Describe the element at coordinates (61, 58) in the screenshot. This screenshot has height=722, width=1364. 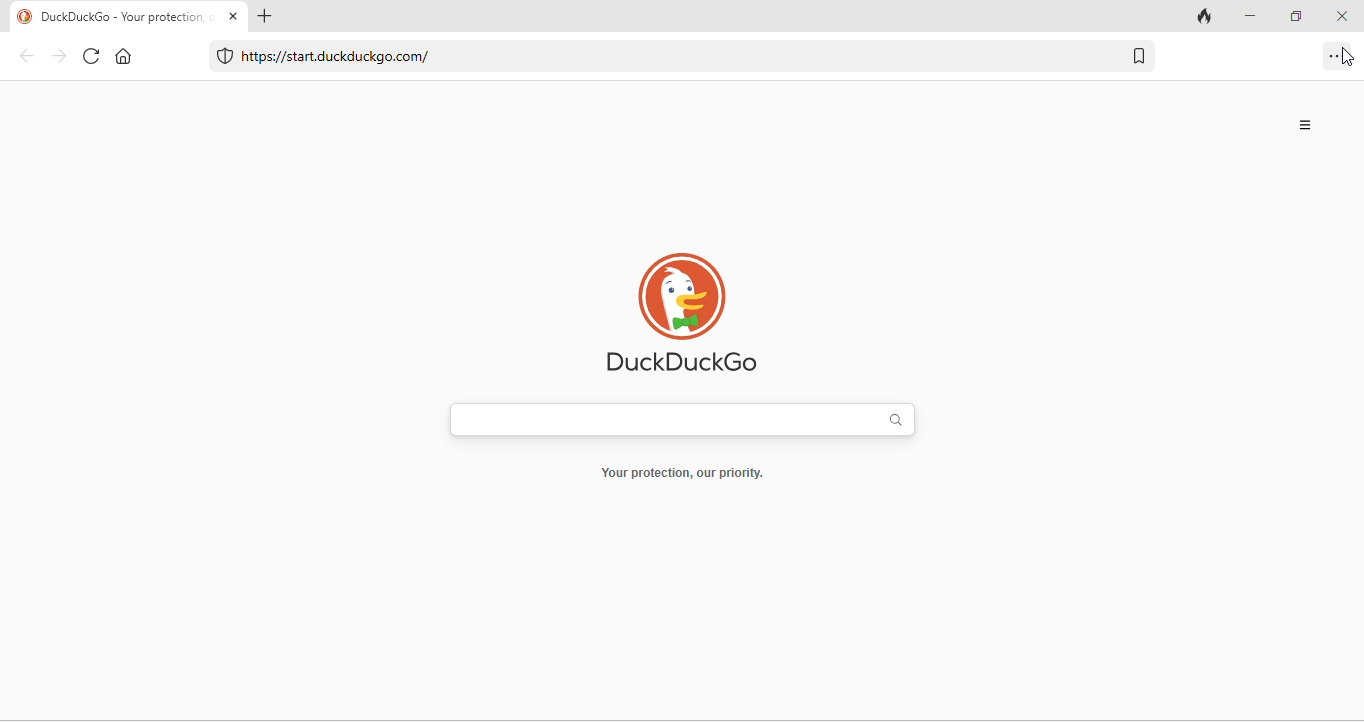
I see `forward` at that location.